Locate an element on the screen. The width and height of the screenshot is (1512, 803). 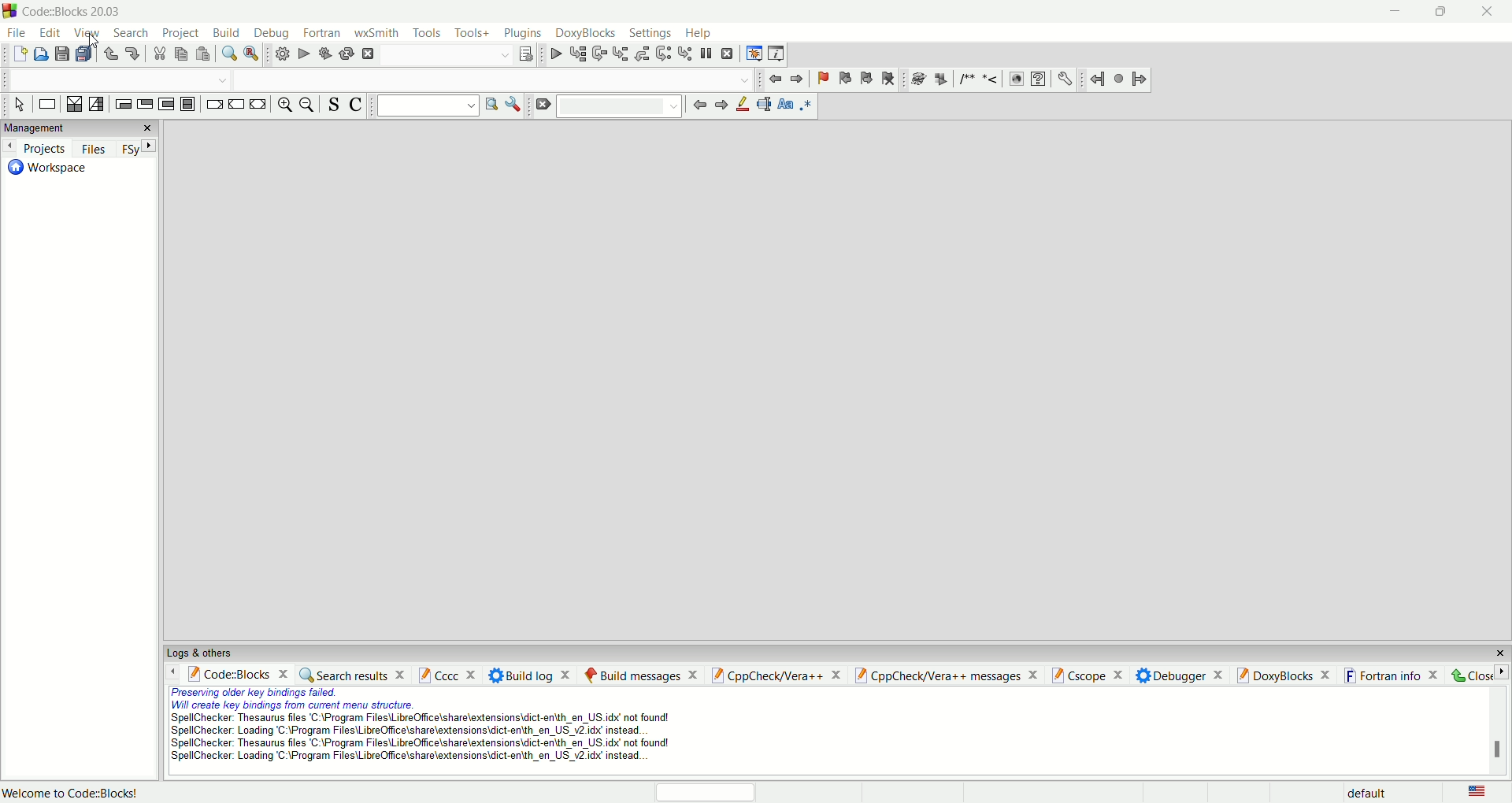
web search is located at coordinates (1017, 81).